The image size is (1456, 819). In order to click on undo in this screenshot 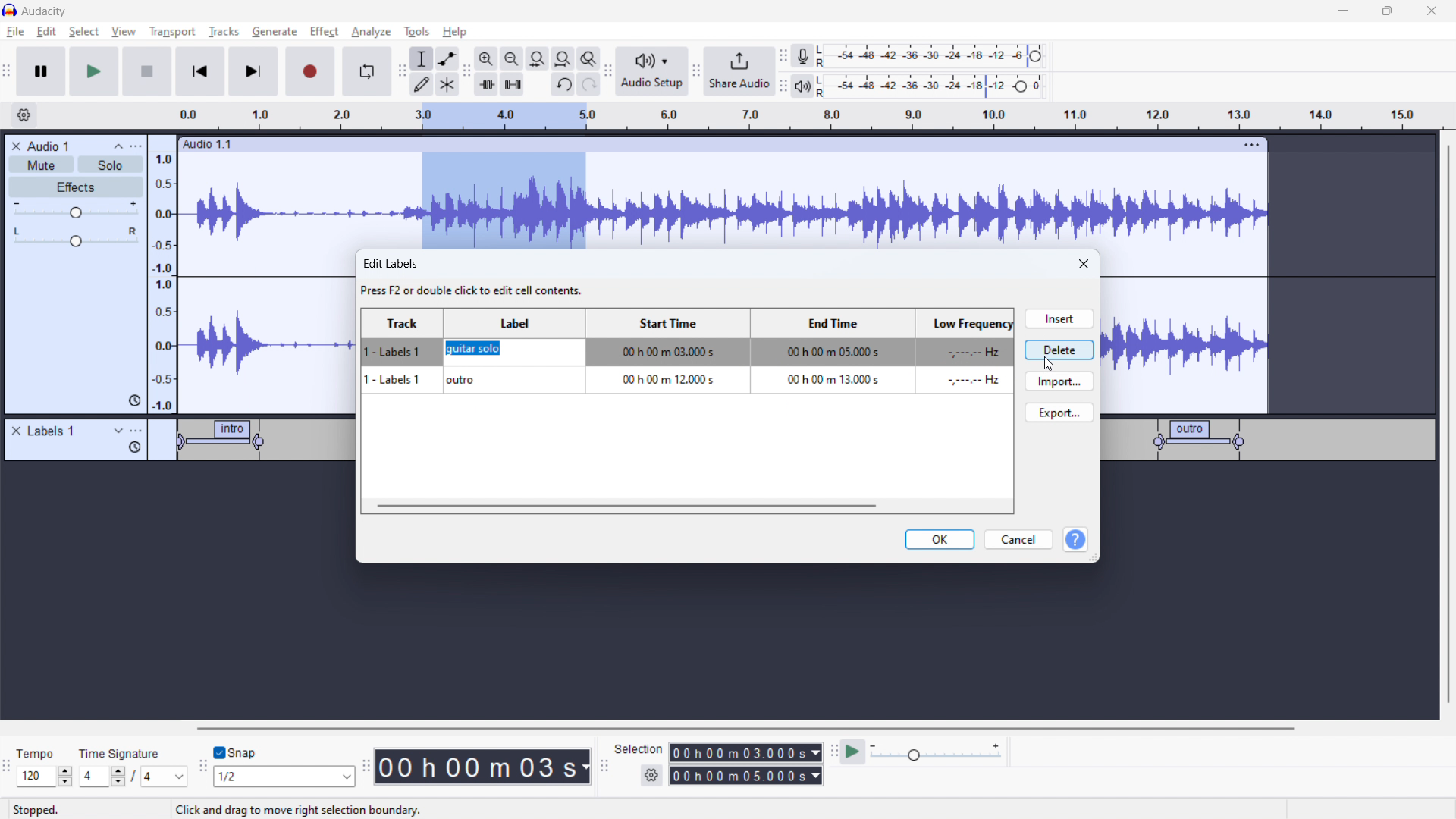, I will do `click(589, 84)`.